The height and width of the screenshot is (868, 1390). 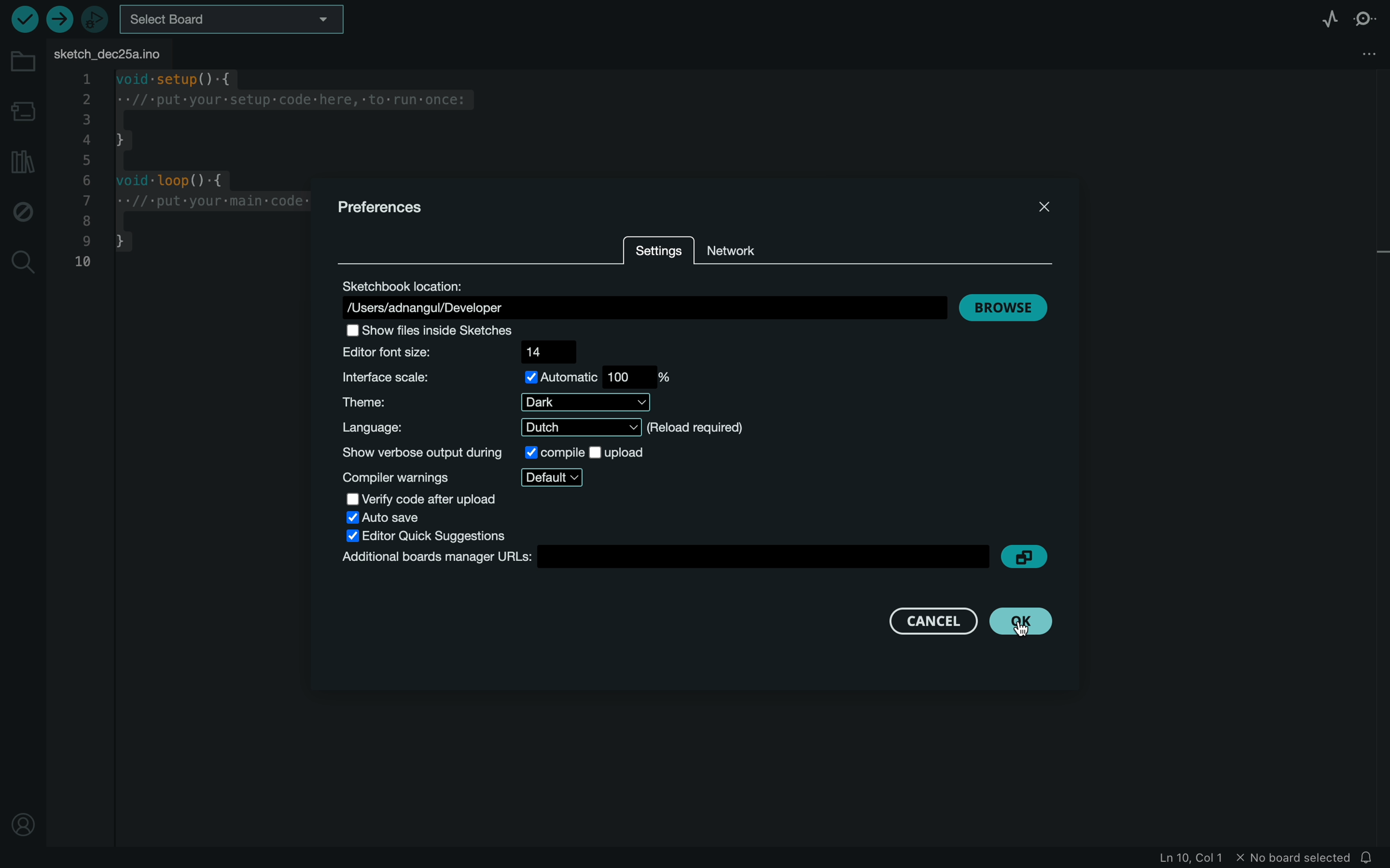 I want to click on notification, so click(x=1369, y=858).